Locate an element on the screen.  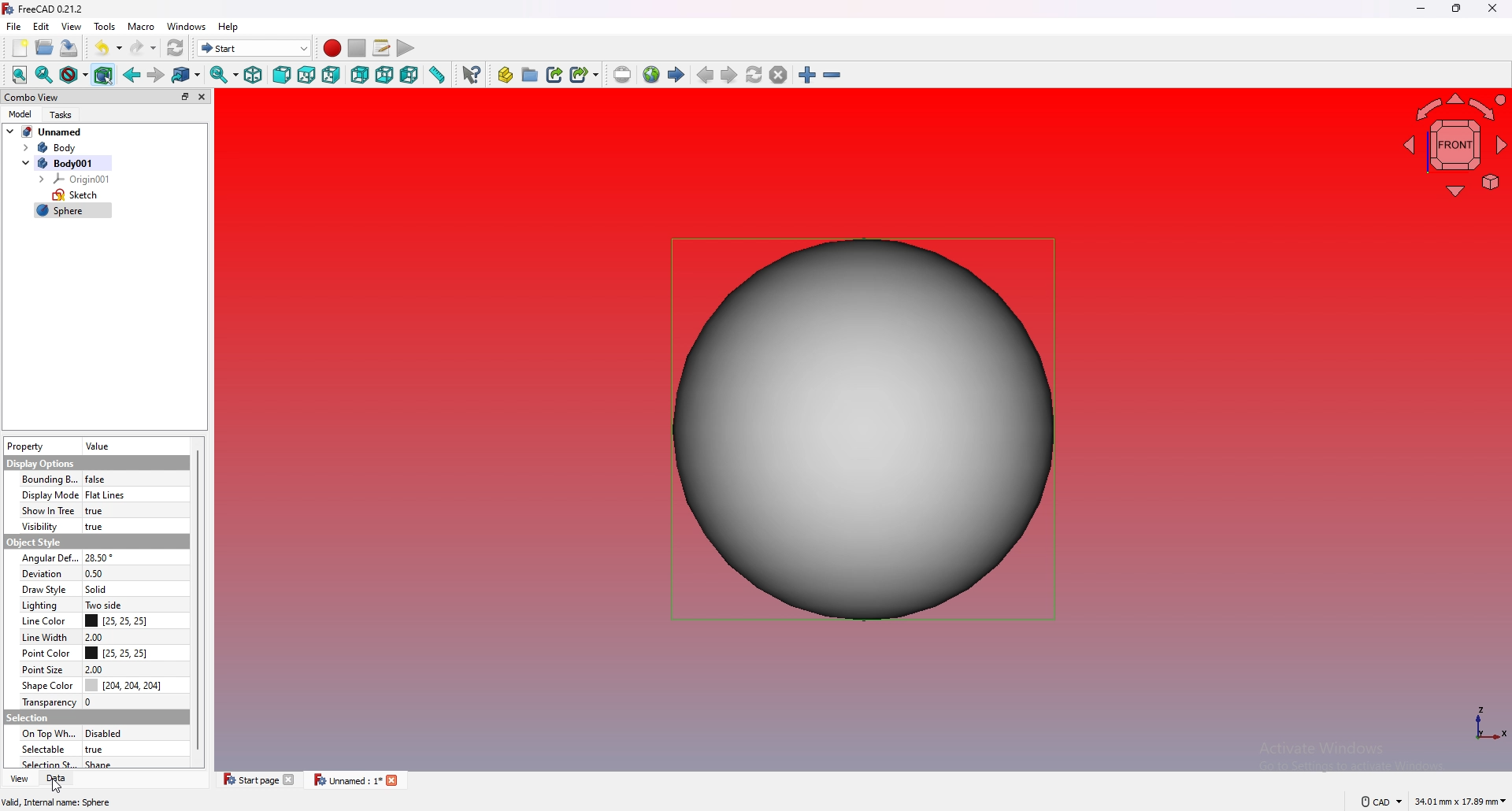
body is located at coordinates (61, 148).